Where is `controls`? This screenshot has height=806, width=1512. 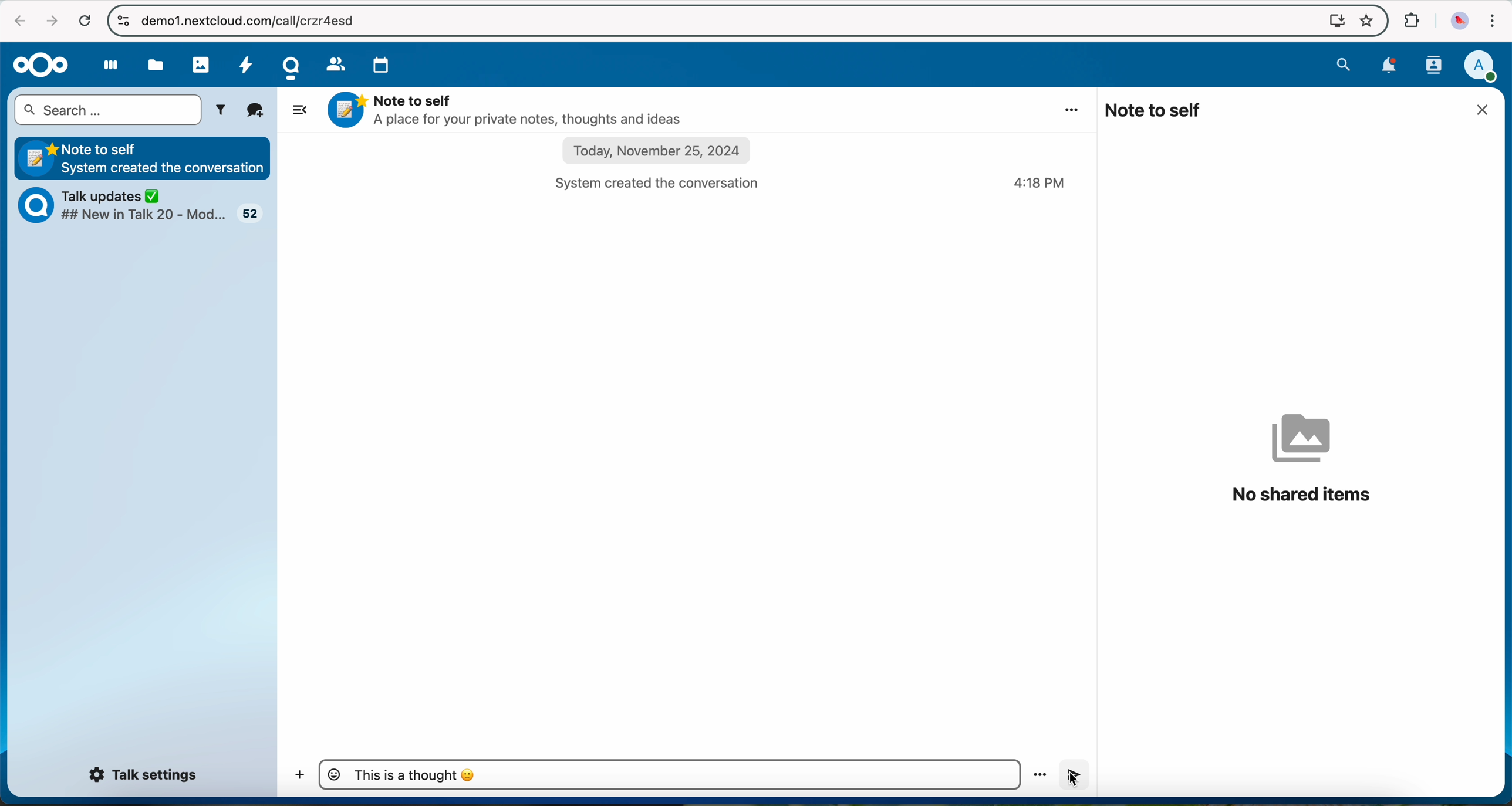 controls is located at coordinates (121, 19).